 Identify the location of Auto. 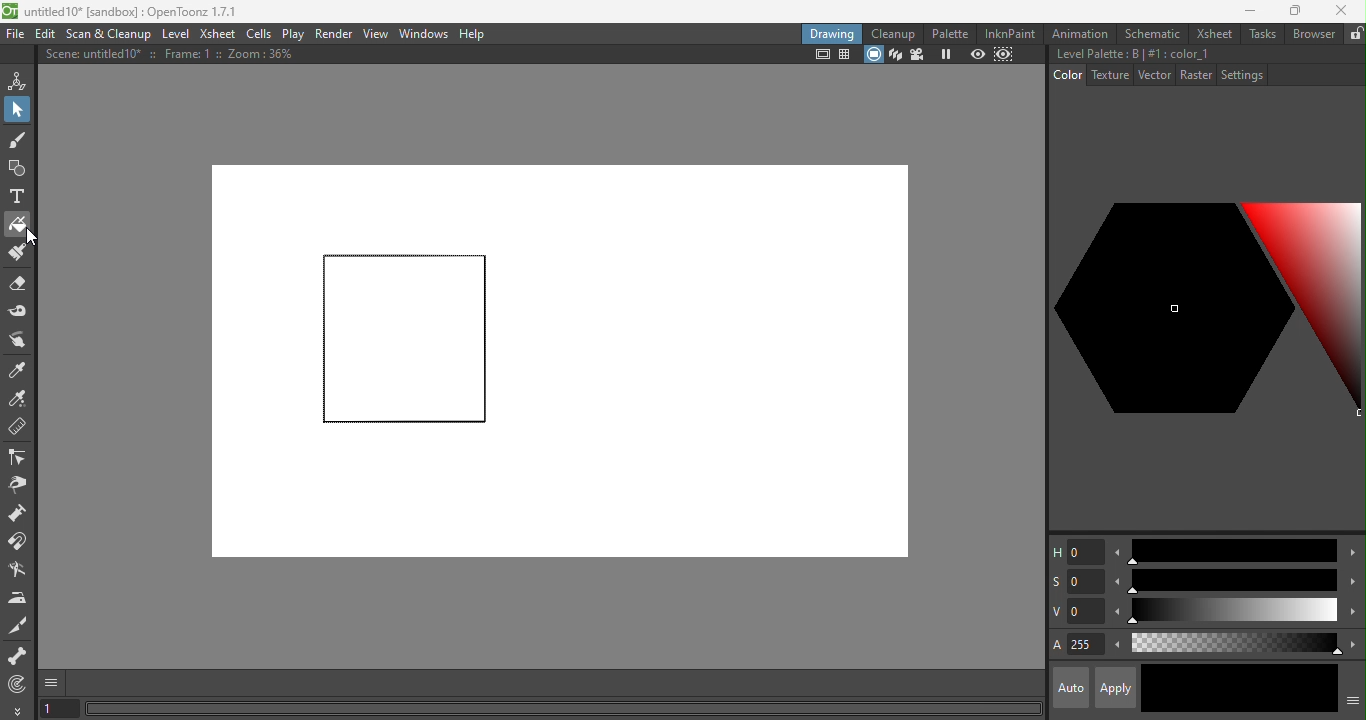
(1071, 688).